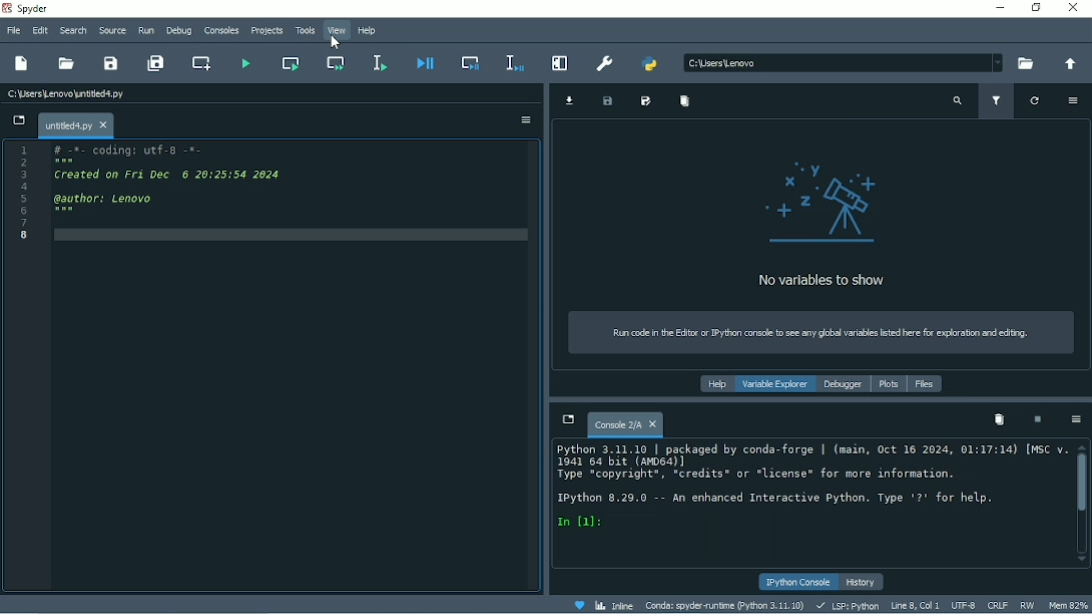 The height and width of the screenshot is (614, 1092). I want to click on Projects, so click(267, 31).